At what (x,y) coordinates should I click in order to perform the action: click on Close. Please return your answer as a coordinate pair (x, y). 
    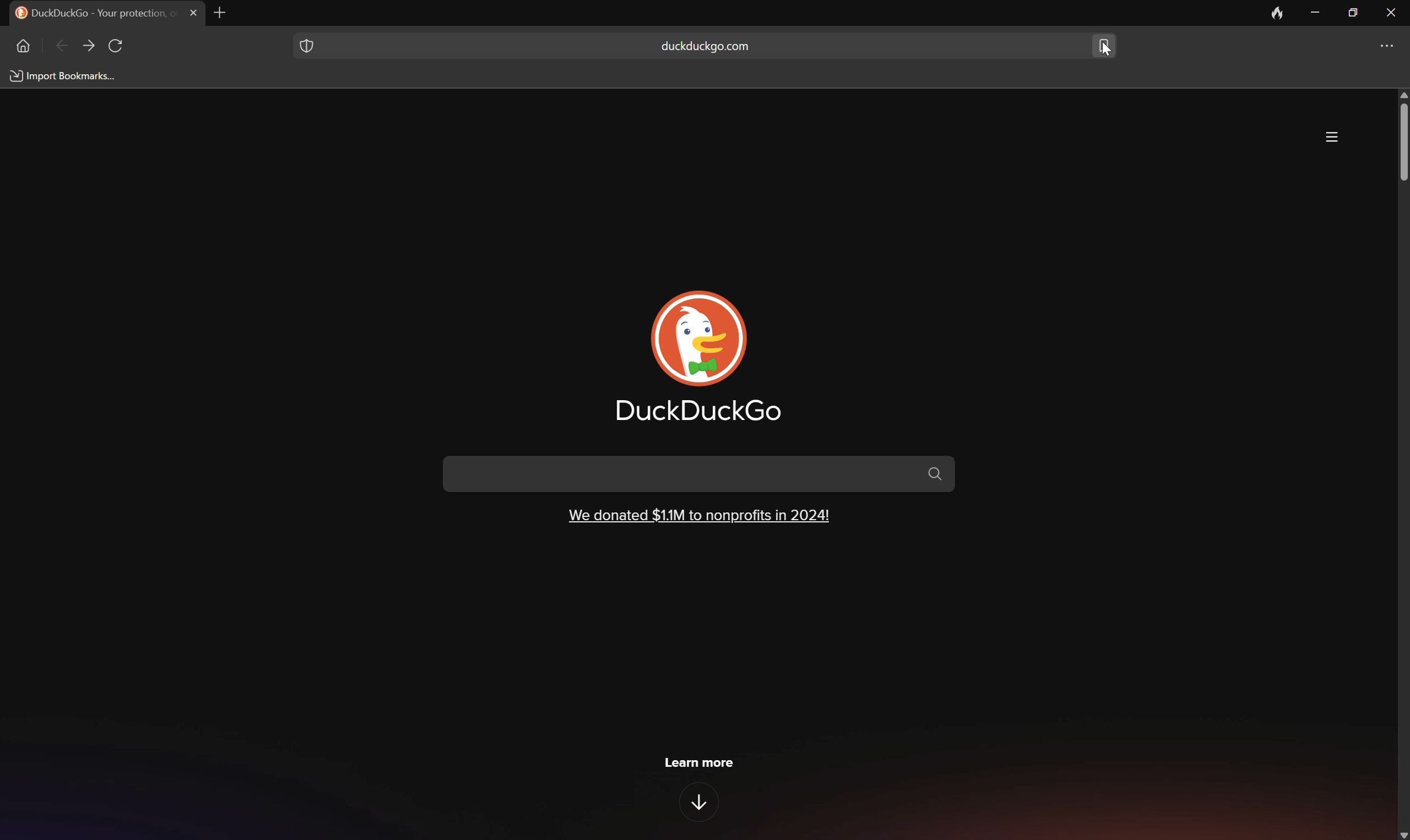
    Looking at the image, I should click on (194, 12).